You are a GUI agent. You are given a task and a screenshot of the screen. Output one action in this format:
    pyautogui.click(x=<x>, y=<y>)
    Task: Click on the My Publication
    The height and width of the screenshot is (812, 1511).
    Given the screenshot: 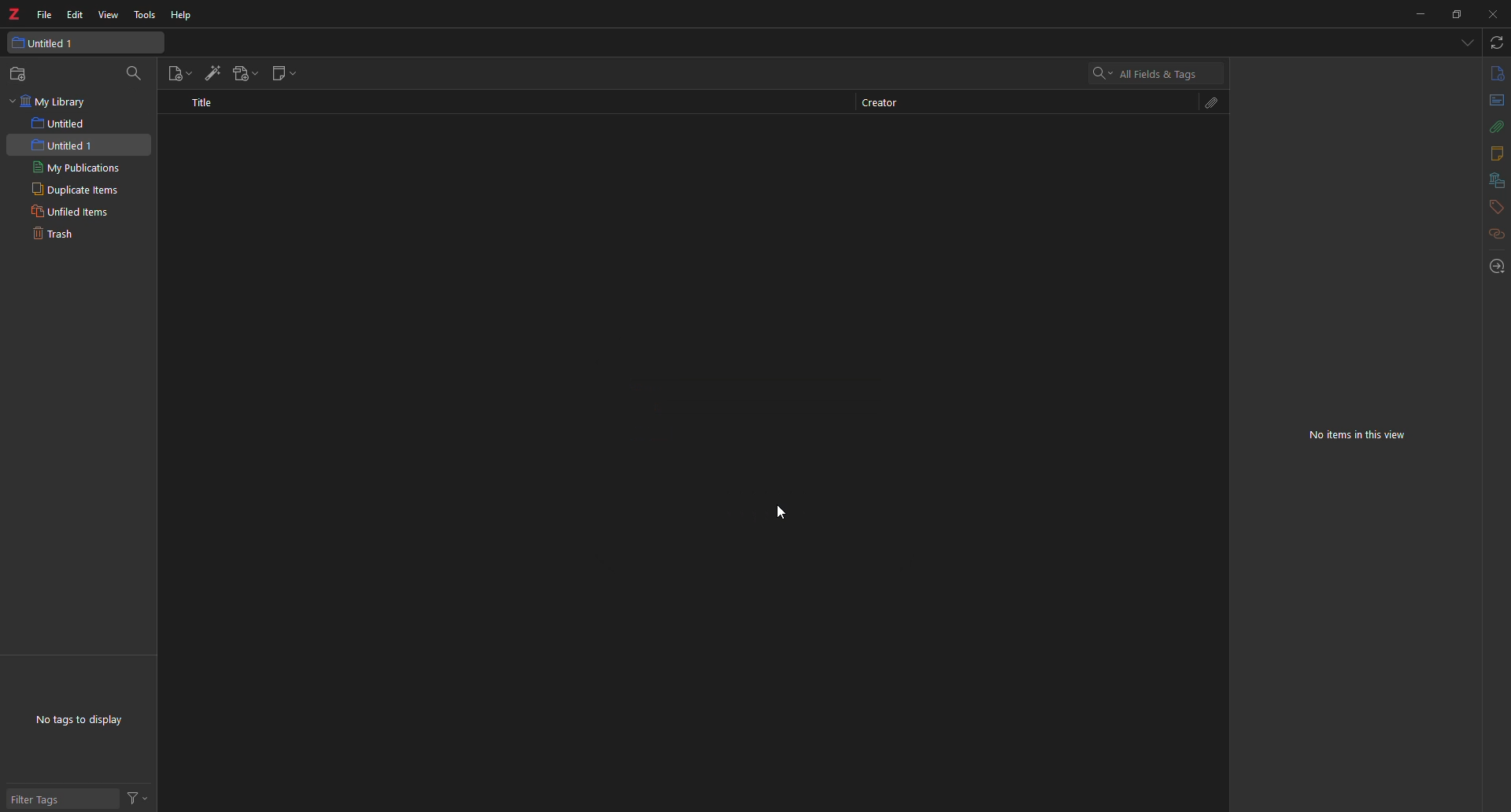 What is the action you would take?
    pyautogui.click(x=73, y=167)
    